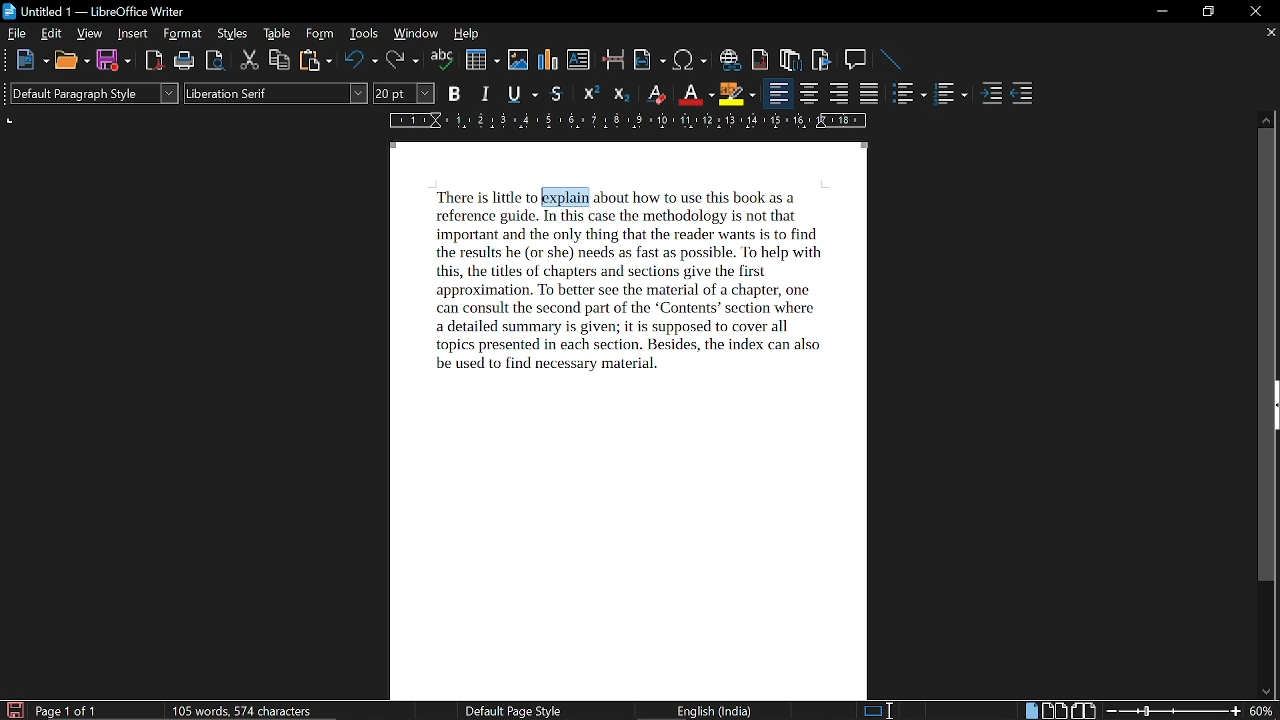 The width and height of the screenshot is (1280, 720). What do you see at coordinates (718, 710) in the screenshot?
I see `English (India)` at bounding box center [718, 710].